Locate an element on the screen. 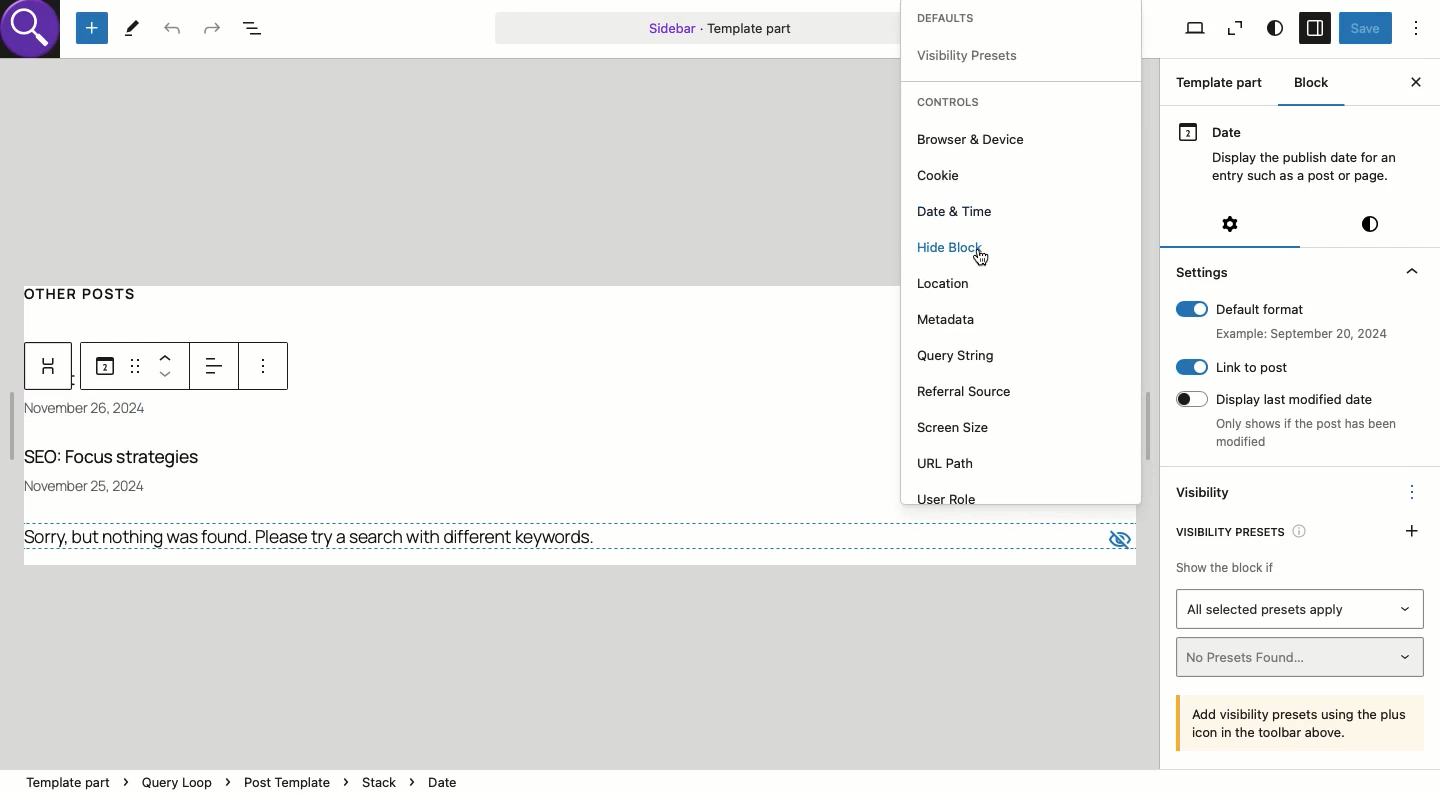 The width and height of the screenshot is (1440, 794). Template part is located at coordinates (1224, 85).